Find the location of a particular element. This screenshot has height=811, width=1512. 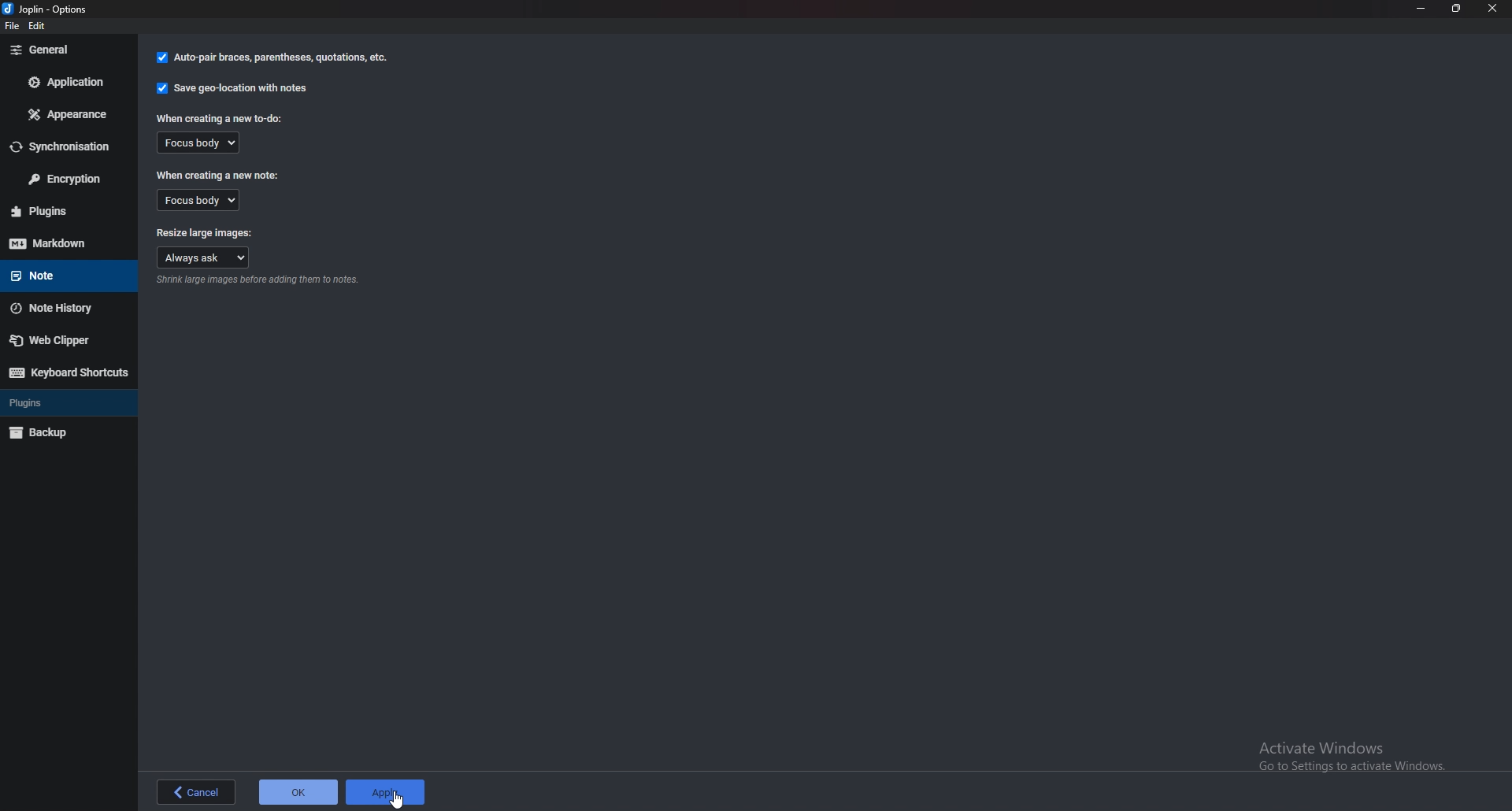

plugins is located at coordinates (65, 401).